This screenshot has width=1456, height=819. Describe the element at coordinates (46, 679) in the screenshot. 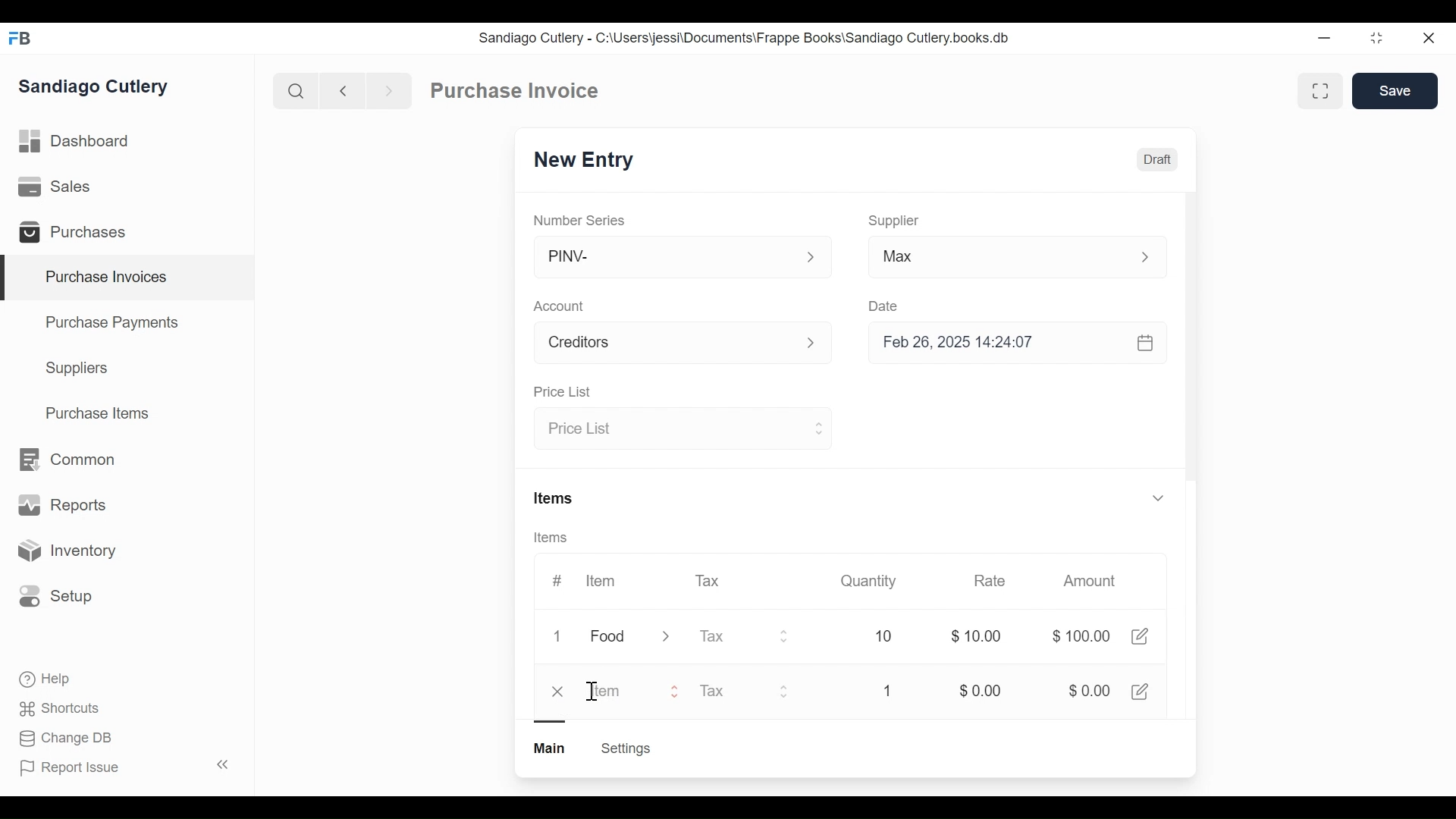

I see `Help` at that location.